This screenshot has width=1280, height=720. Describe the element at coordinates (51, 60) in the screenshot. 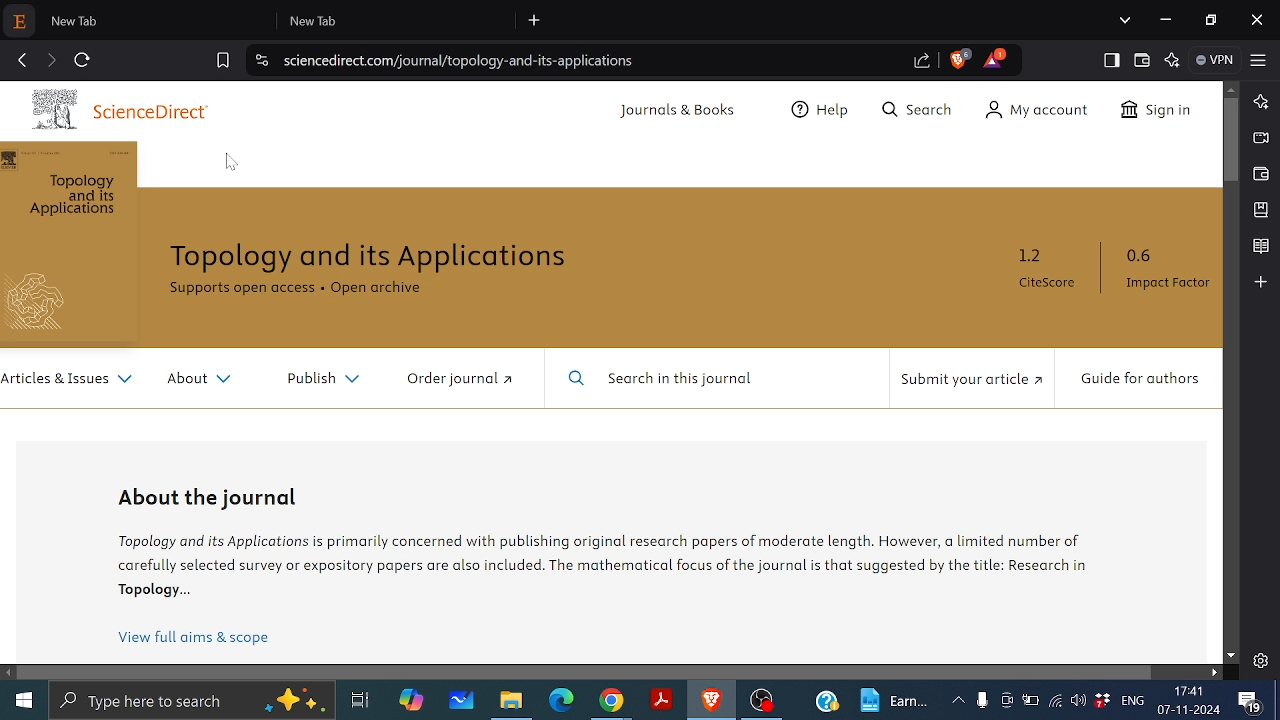

I see `next` at that location.